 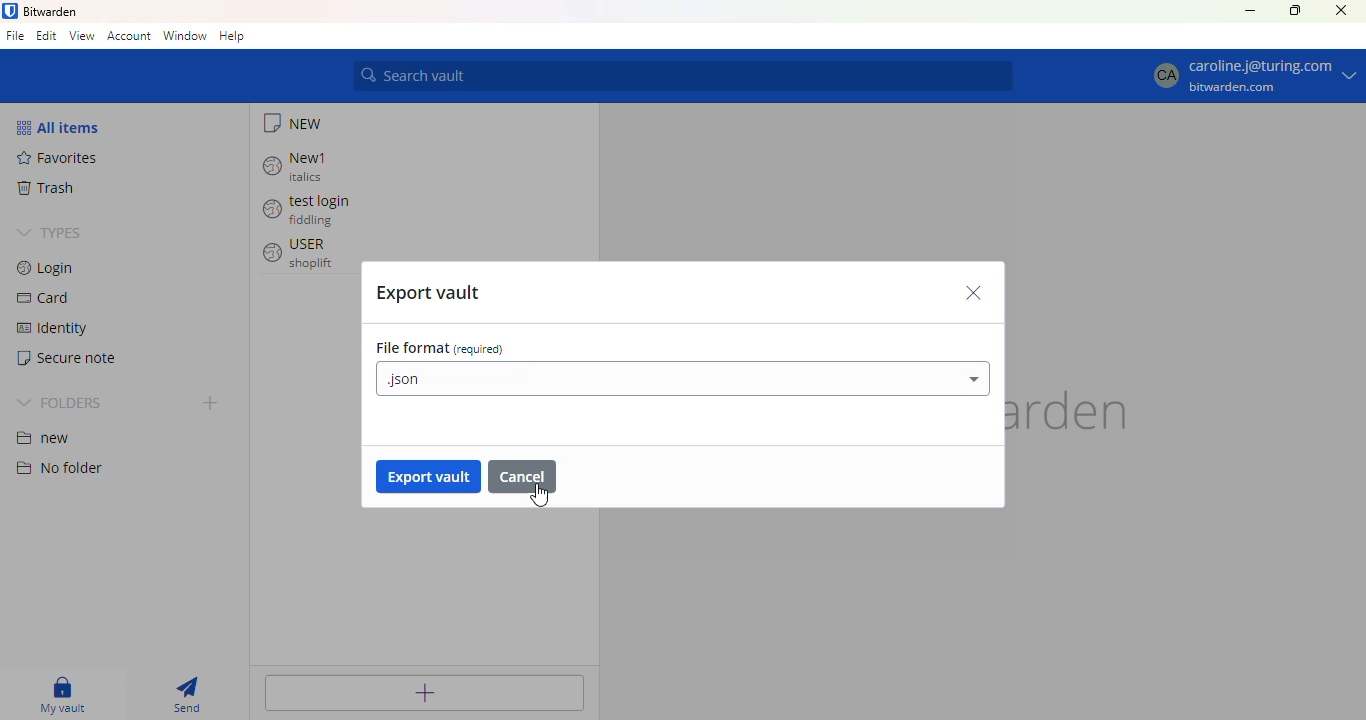 What do you see at coordinates (57, 158) in the screenshot?
I see `favorites` at bounding box center [57, 158].